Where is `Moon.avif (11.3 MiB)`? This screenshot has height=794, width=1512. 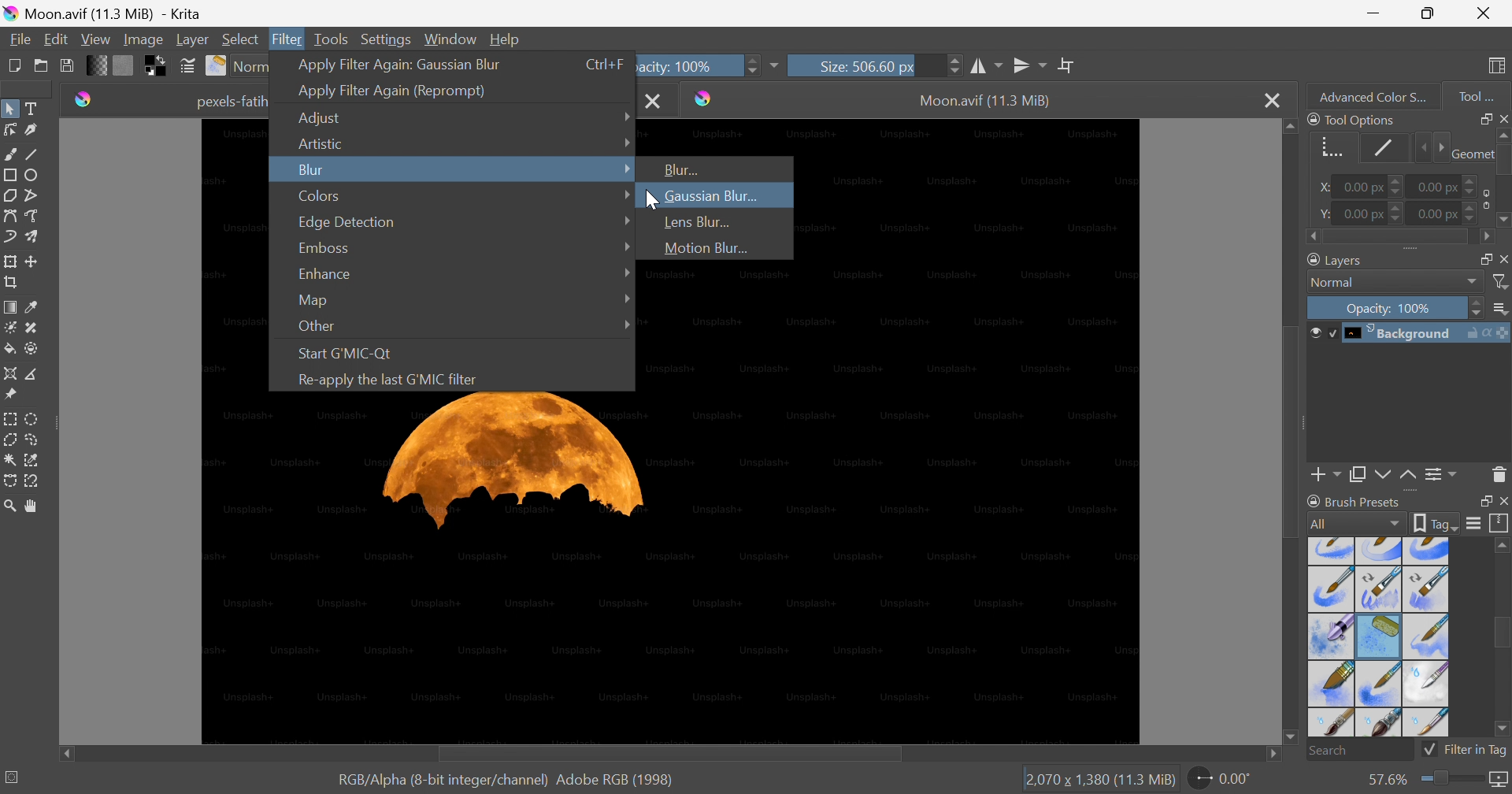 Moon.avif (11.3 MiB) is located at coordinates (986, 102).